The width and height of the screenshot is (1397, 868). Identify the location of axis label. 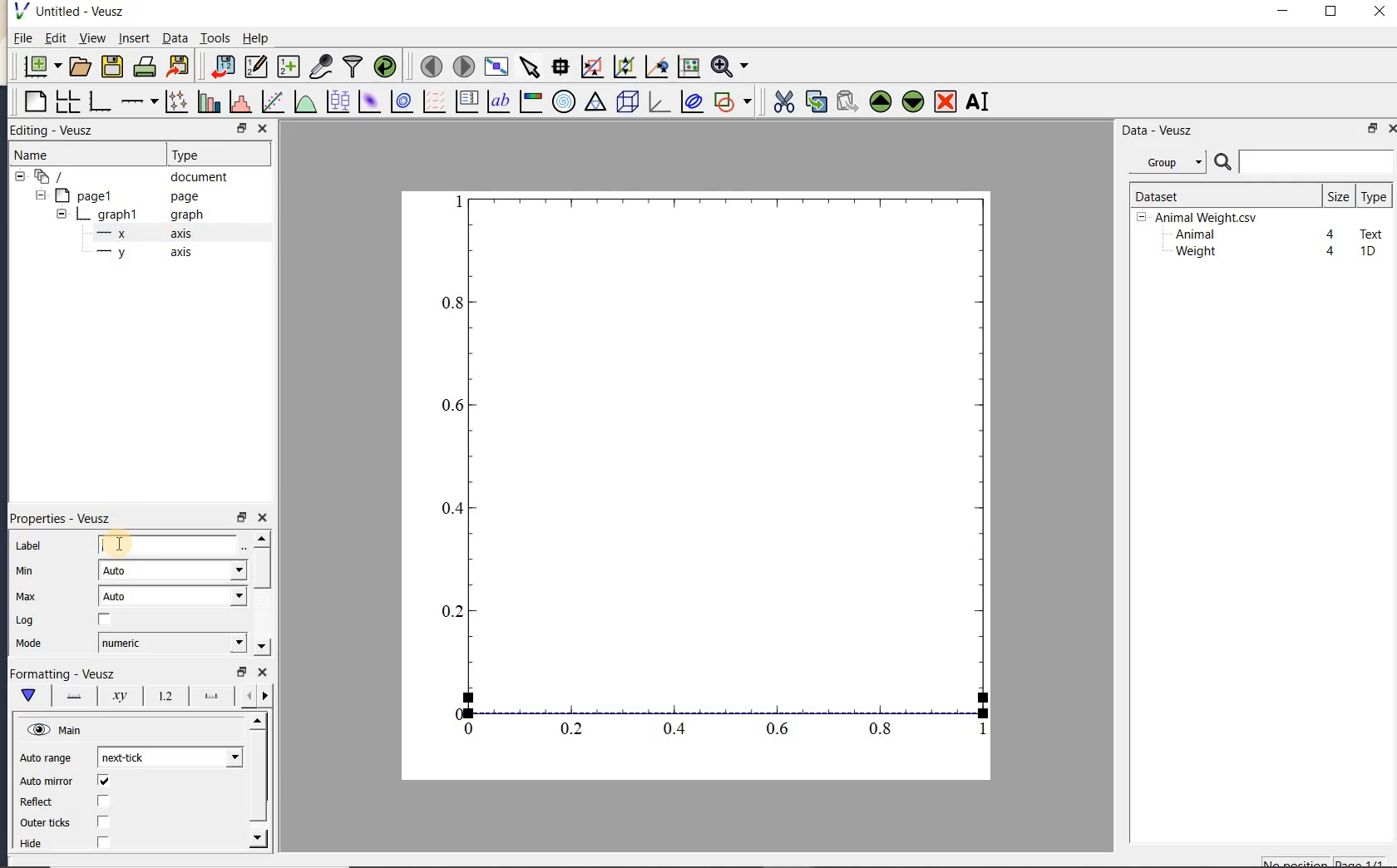
(116, 696).